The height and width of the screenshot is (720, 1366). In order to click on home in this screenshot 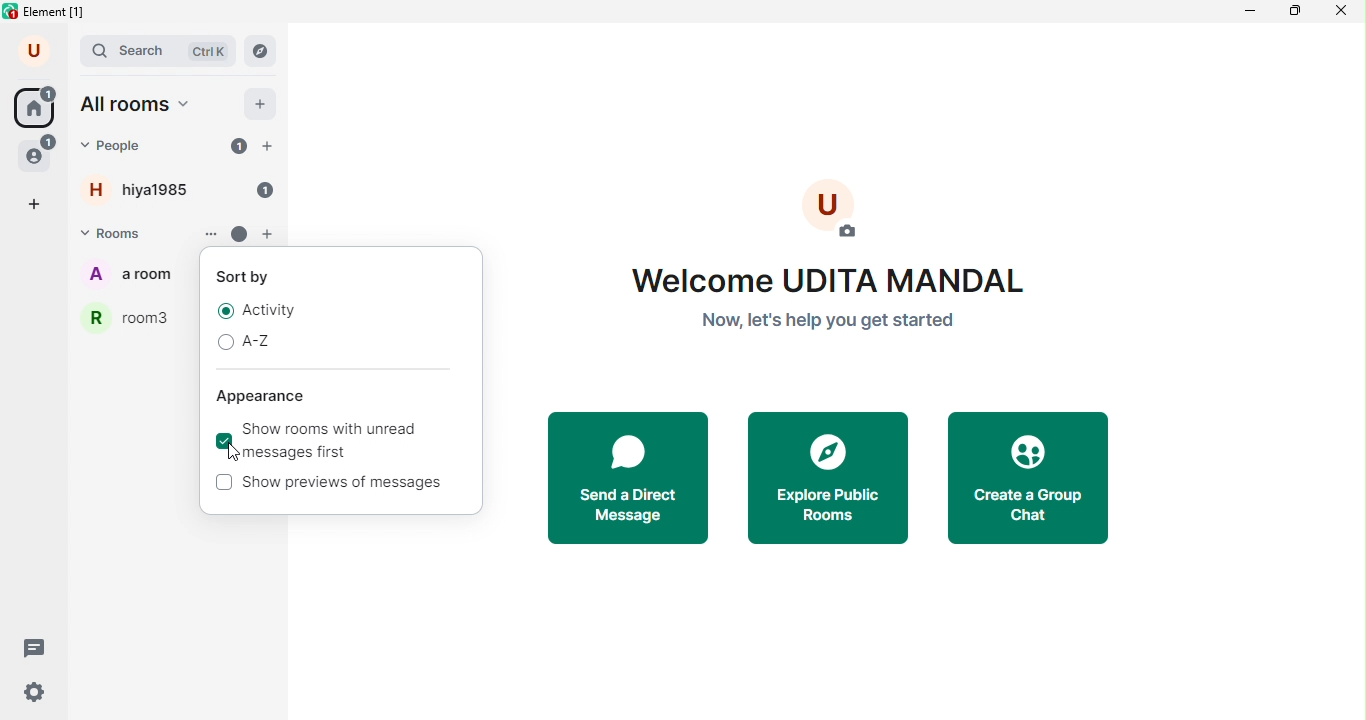, I will do `click(33, 106)`.